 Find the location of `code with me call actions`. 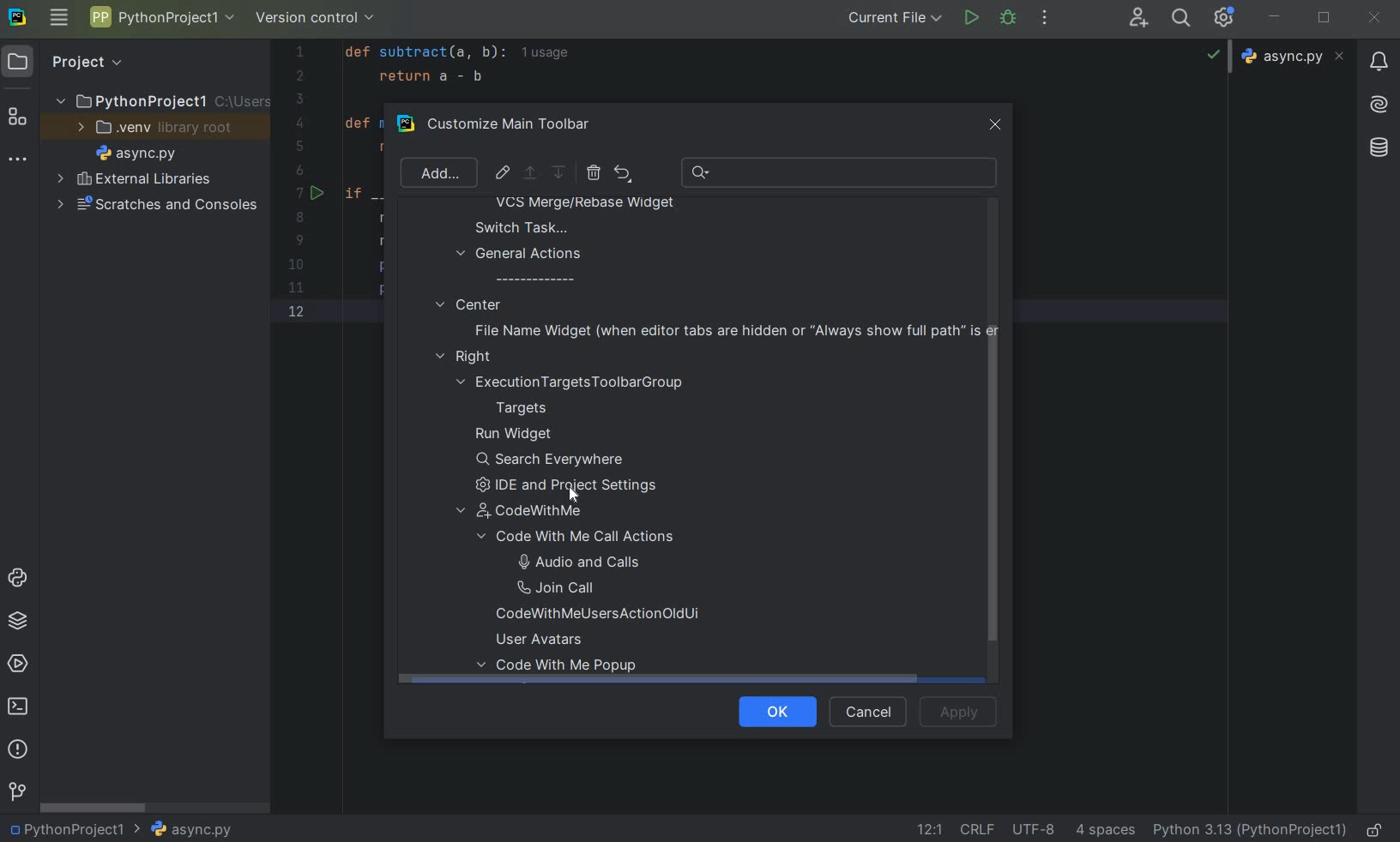

code with me call actions is located at coordinates (594, 537).